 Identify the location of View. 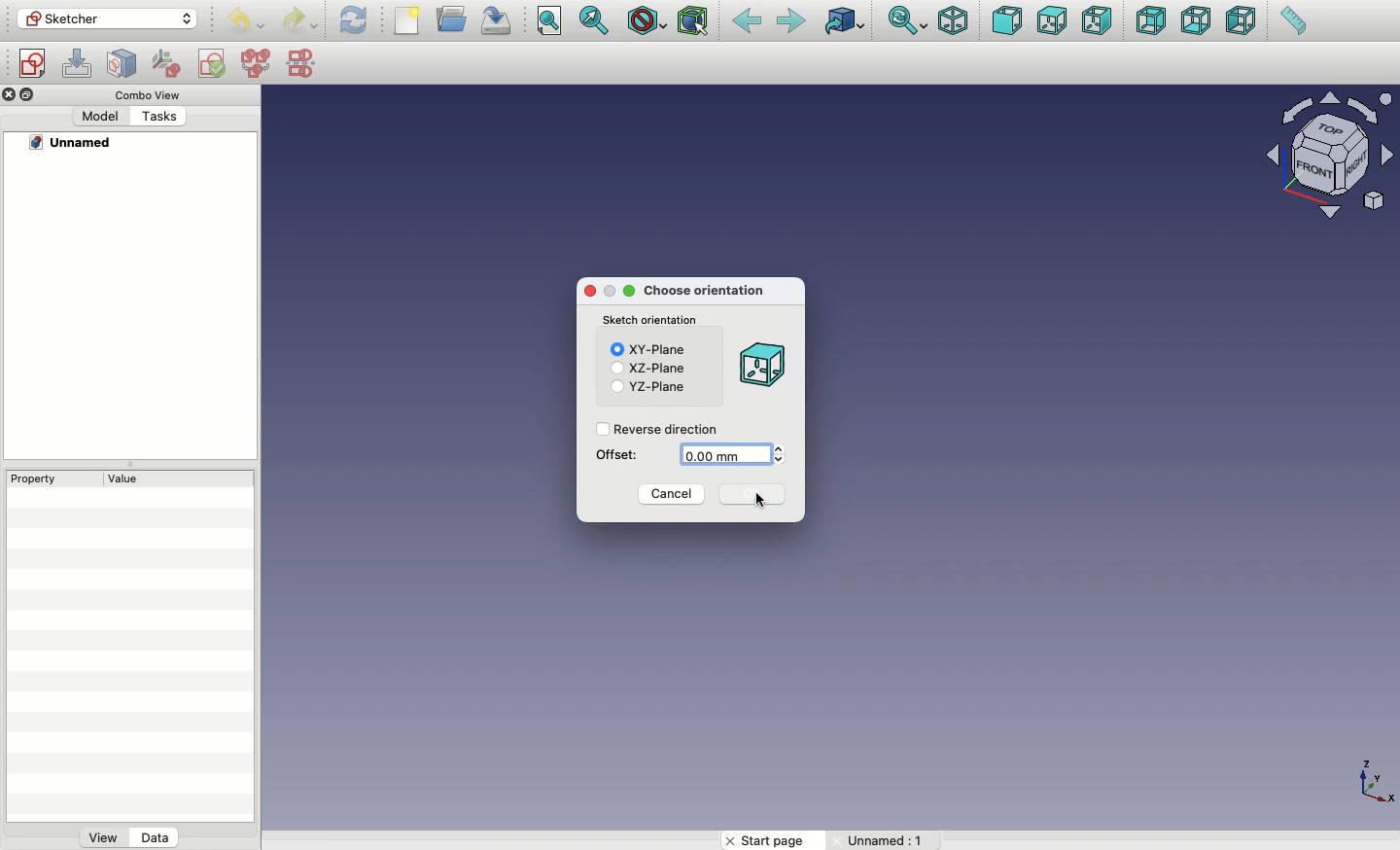
(103, 840).